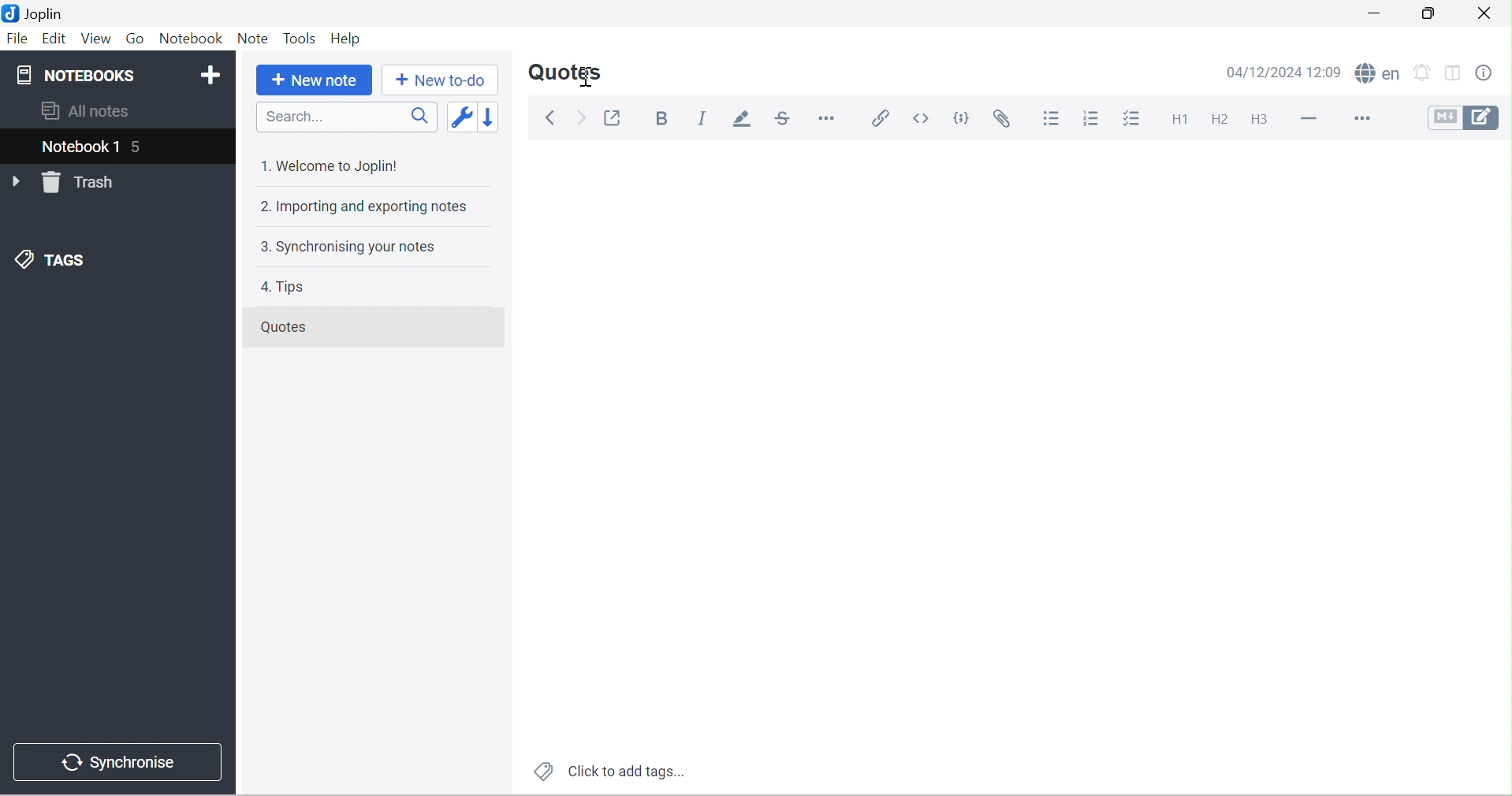 The width and height of the screenshot is (1512, 796). Describe the element at coordinates (97, 39) in the screenshot. I see `View` at that location.